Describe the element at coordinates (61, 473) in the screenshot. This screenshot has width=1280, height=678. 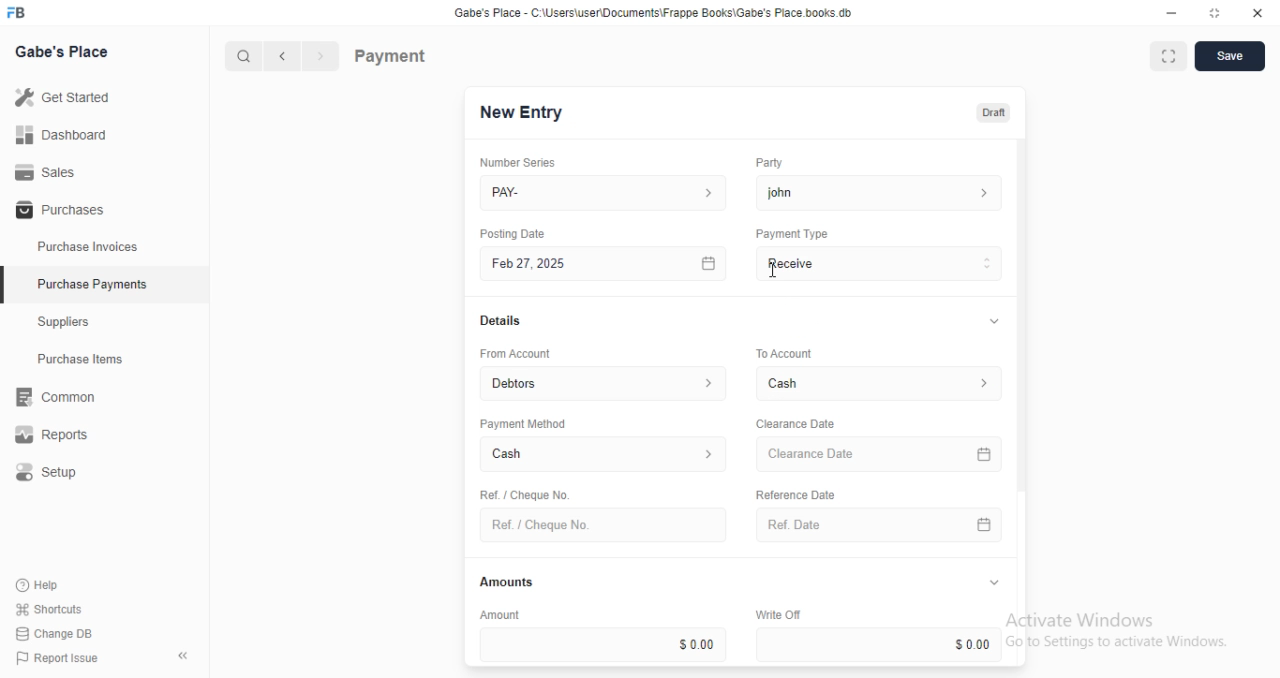
I see `Setup` at that location.